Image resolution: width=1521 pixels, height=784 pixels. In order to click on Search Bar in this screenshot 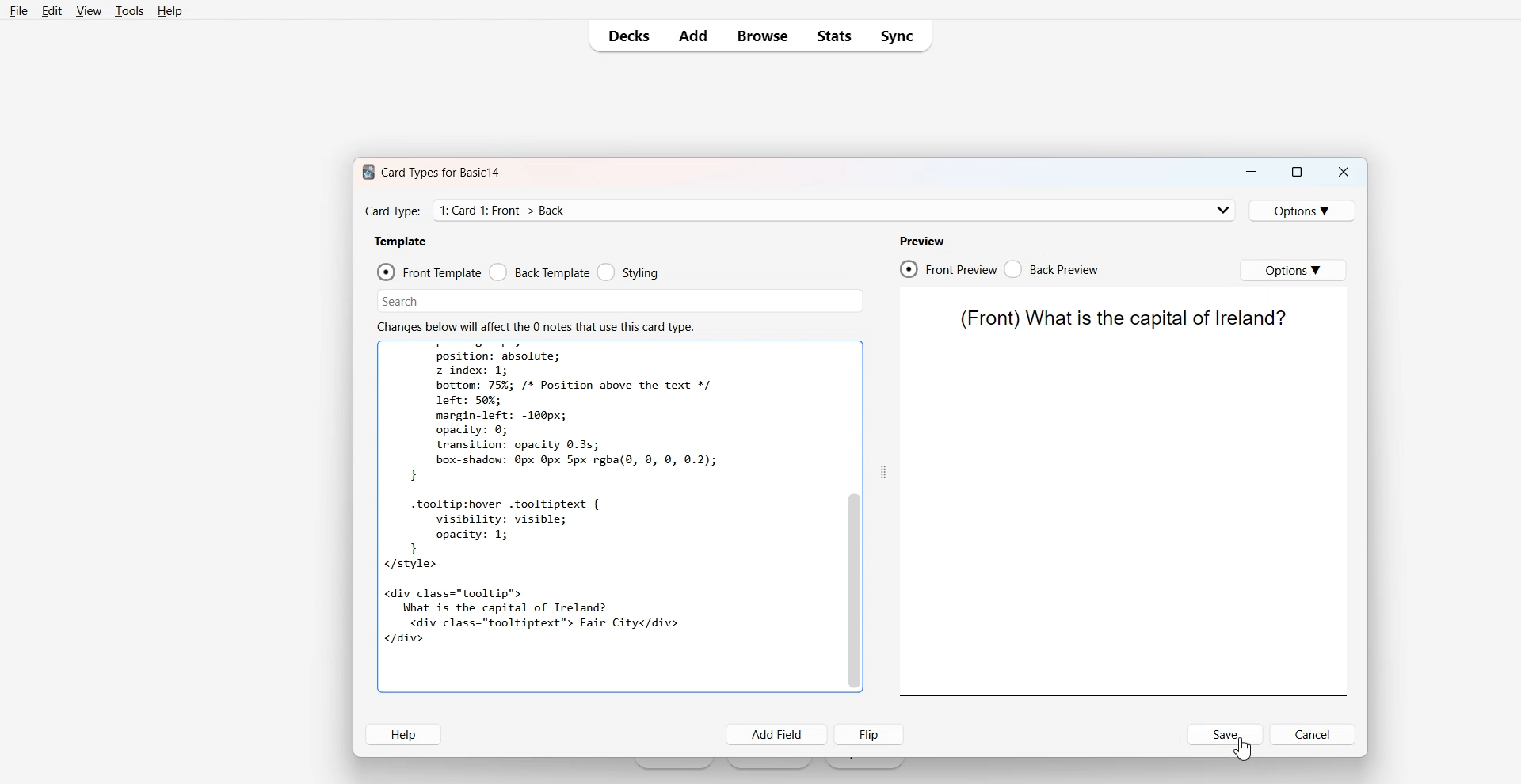, I will do `click(620, 301)`.